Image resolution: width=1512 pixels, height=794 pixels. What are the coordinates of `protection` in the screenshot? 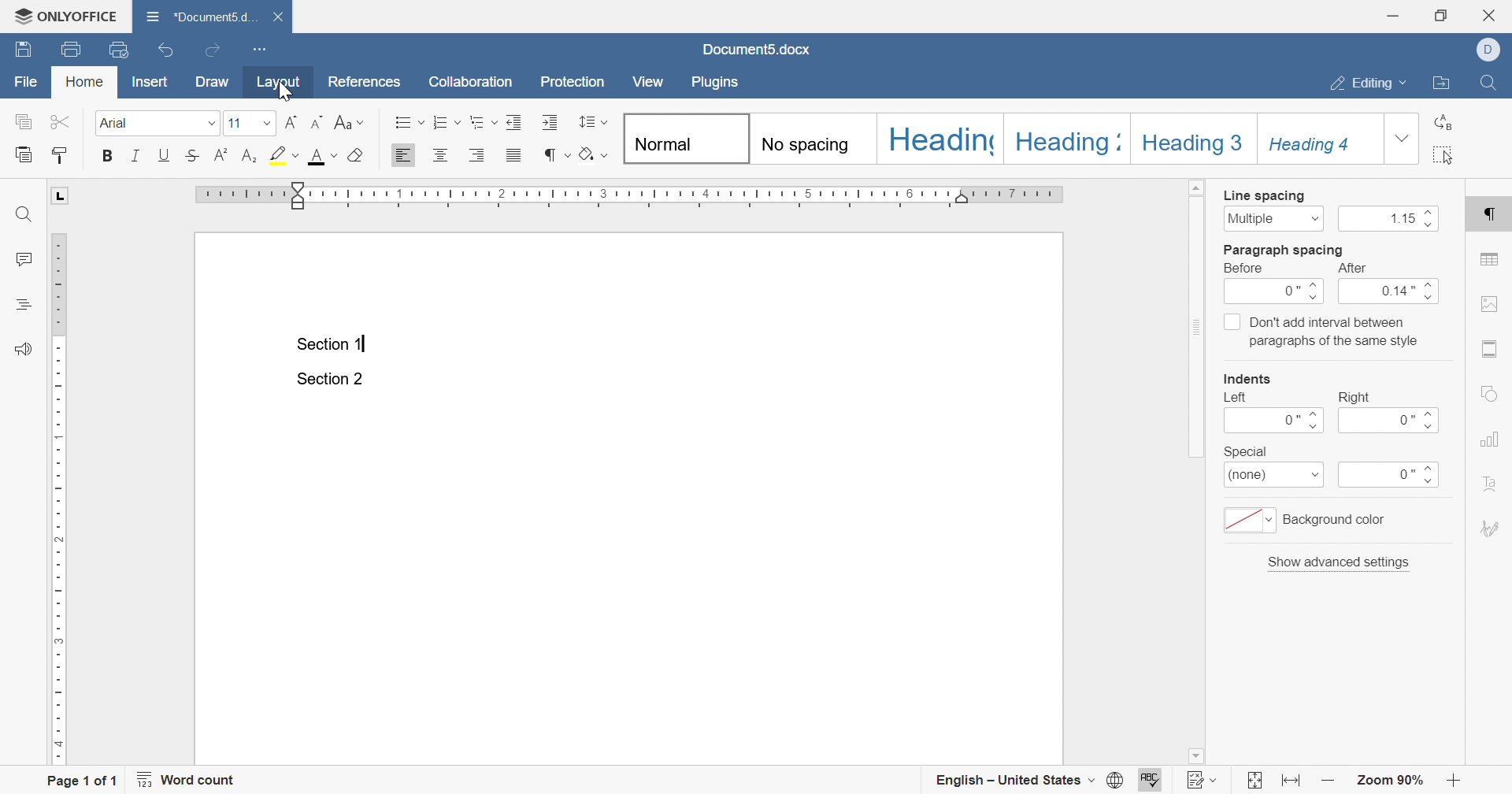 It's located at (574, 82).